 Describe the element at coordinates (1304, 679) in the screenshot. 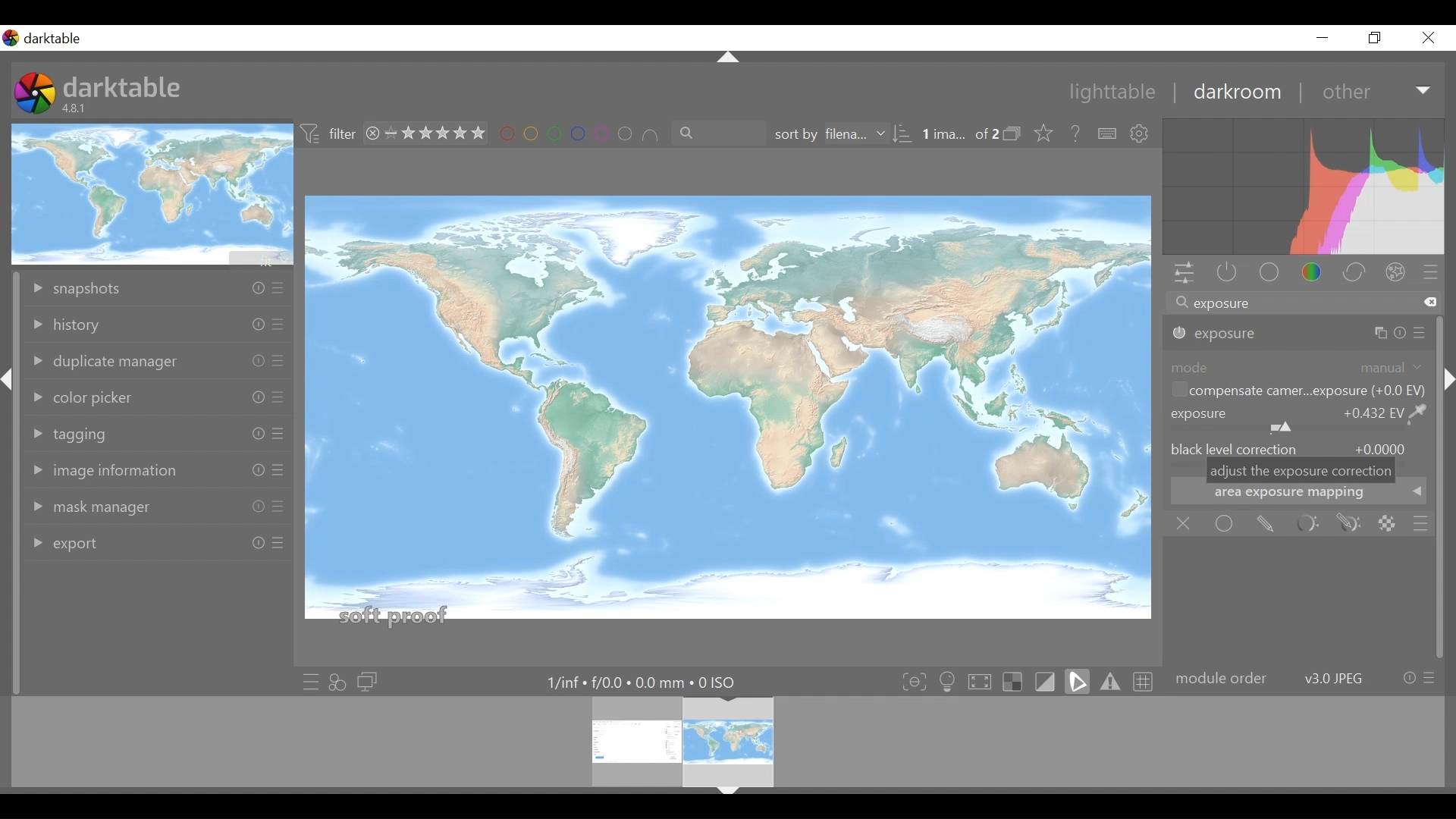

I see `module order` at that location.